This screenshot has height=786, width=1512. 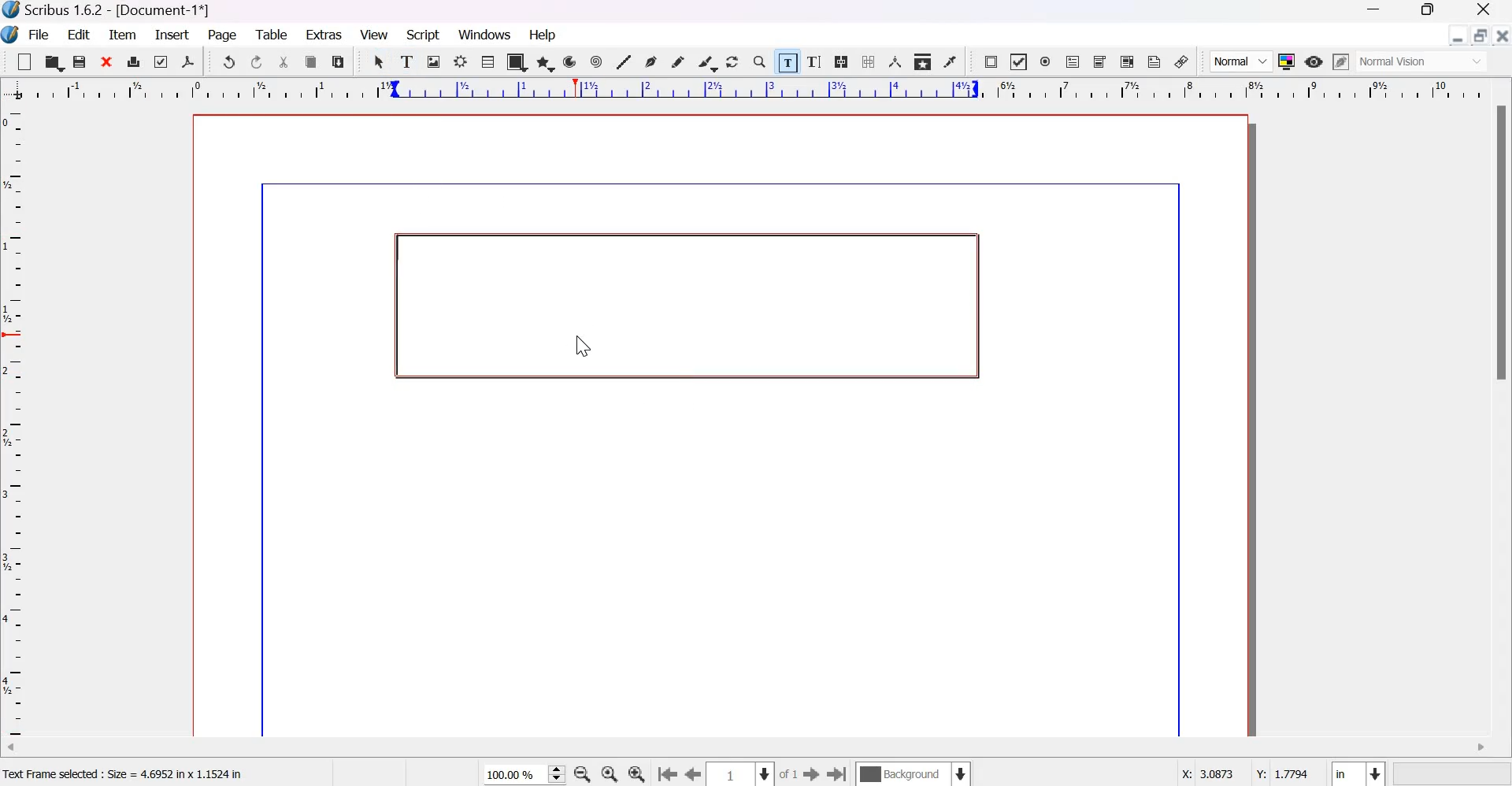 What do you see at coordinates (1358, 772) in the screenshot?
I see `select the current unit` at bounding box center [1358, 772].